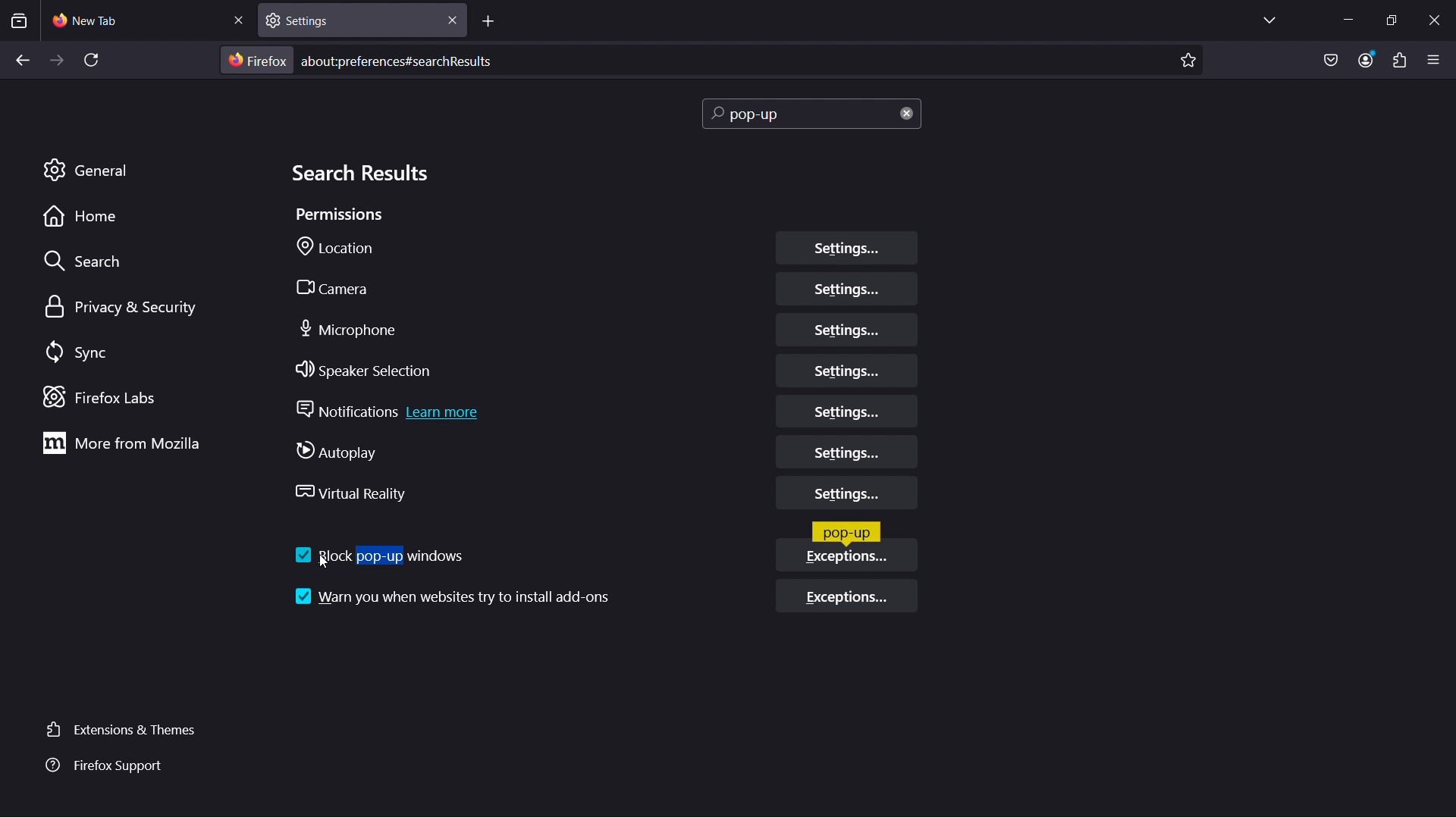 The height and width of the screenshot is (817, 1456). What do you see at coordinates (109, 766) in the screenshot?
I see `Firefox Support` at bounding box center [109, 766].